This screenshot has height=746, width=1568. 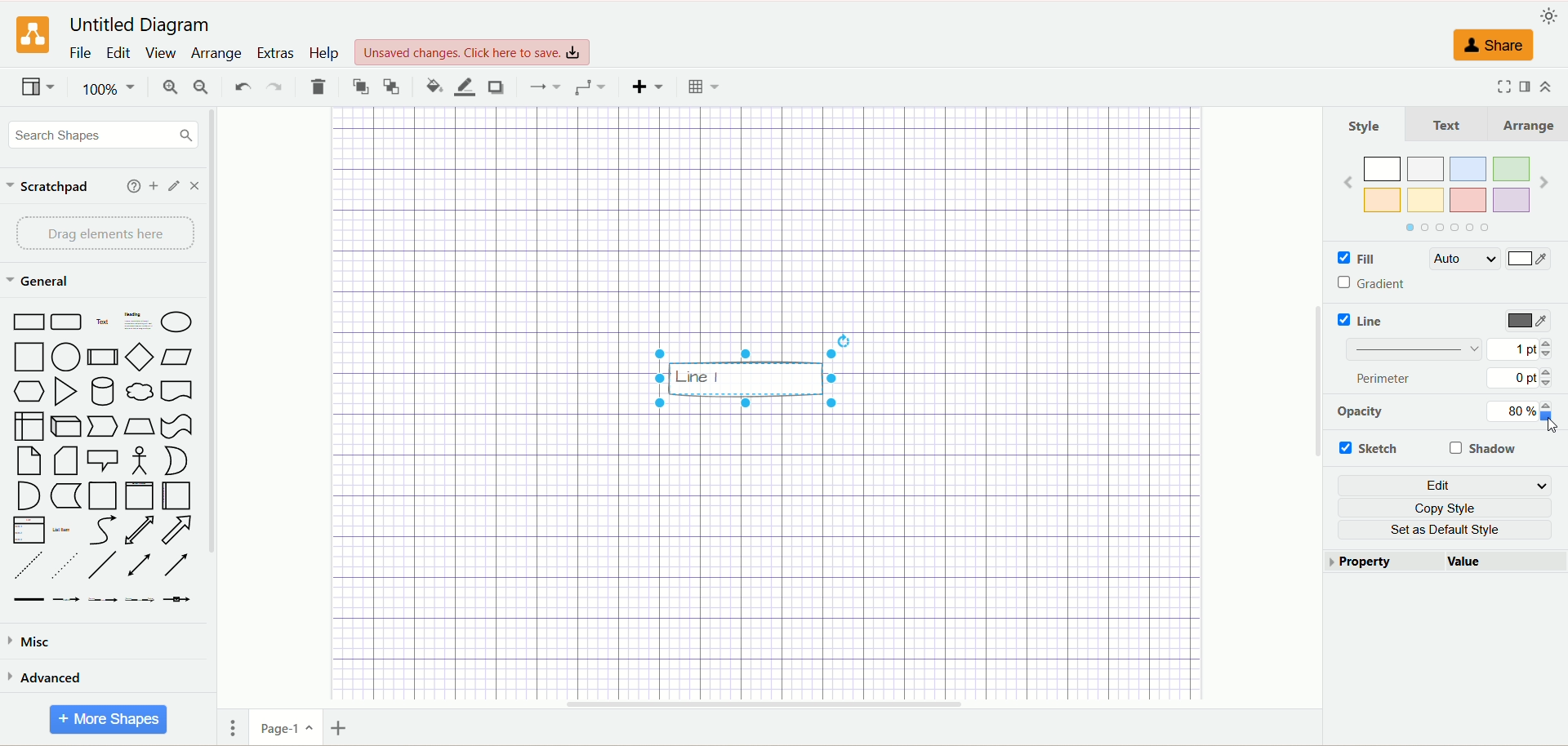 What do you see at coordinates (319, 87) in the screenshot?
I see `delete` at bounding box center [319, 87].